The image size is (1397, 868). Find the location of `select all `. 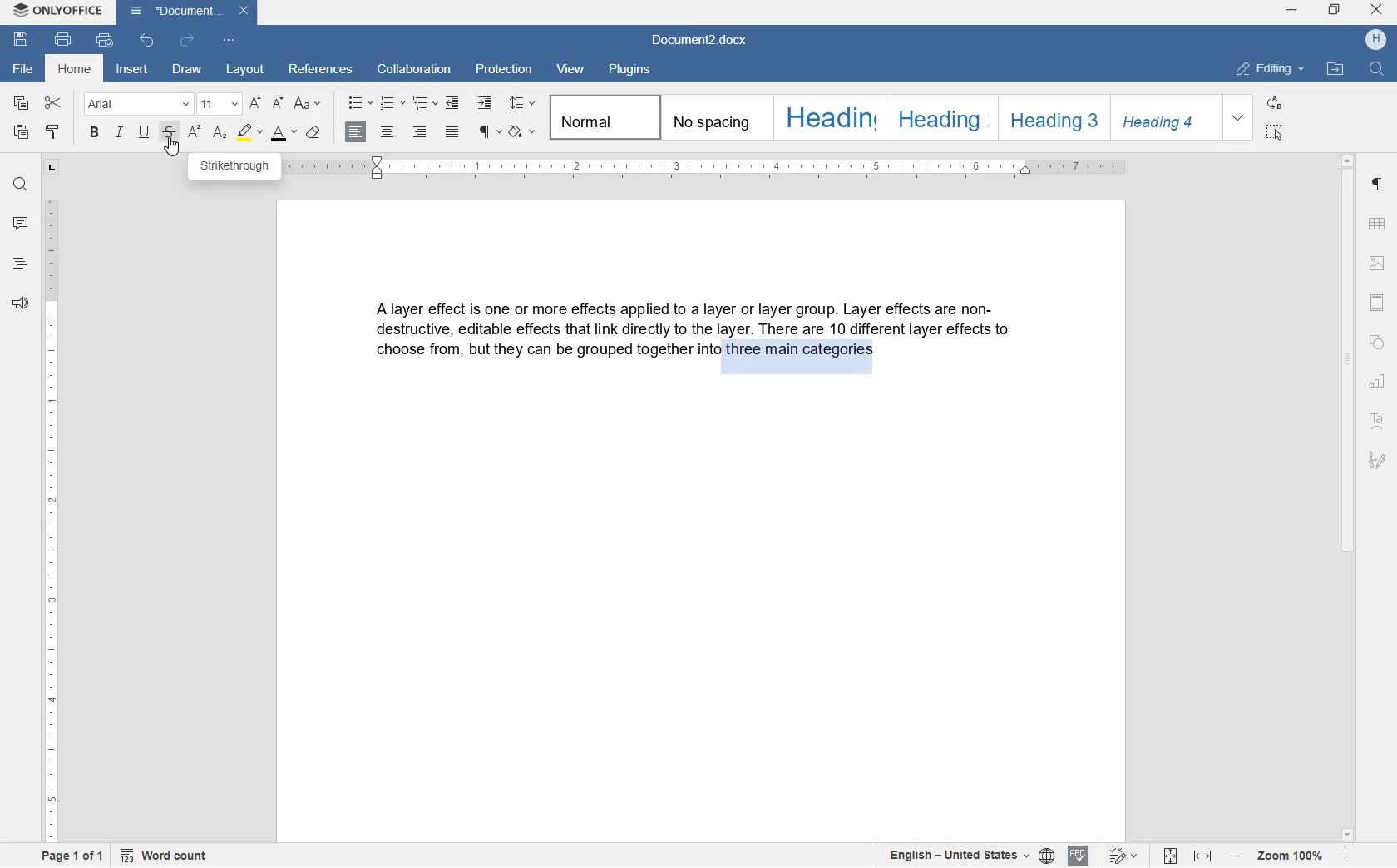

select all  is located at coordinates (1274, 131).